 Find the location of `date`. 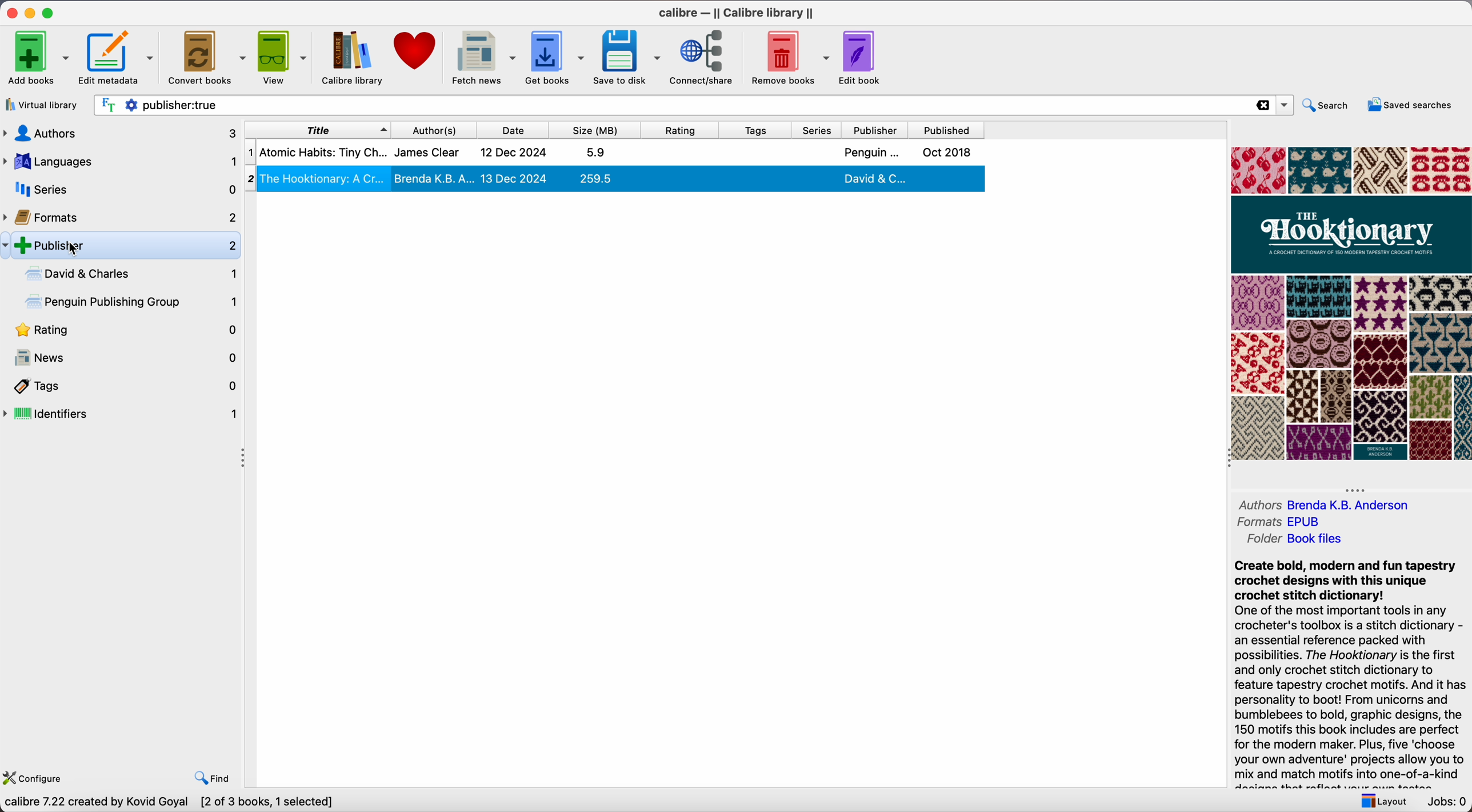

date is located at coordinates (517, 130).